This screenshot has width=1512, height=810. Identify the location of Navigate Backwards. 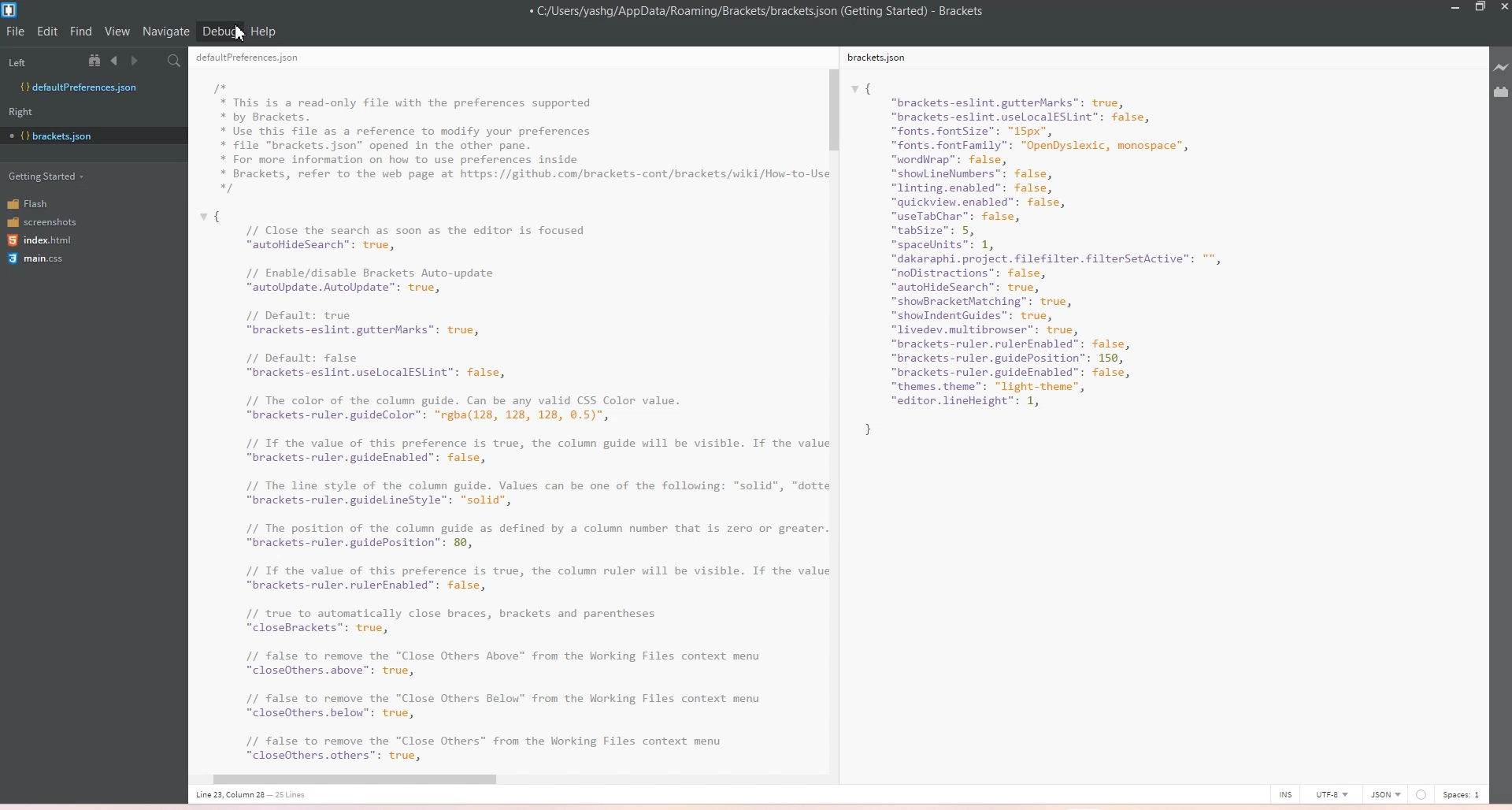
(117, 61).